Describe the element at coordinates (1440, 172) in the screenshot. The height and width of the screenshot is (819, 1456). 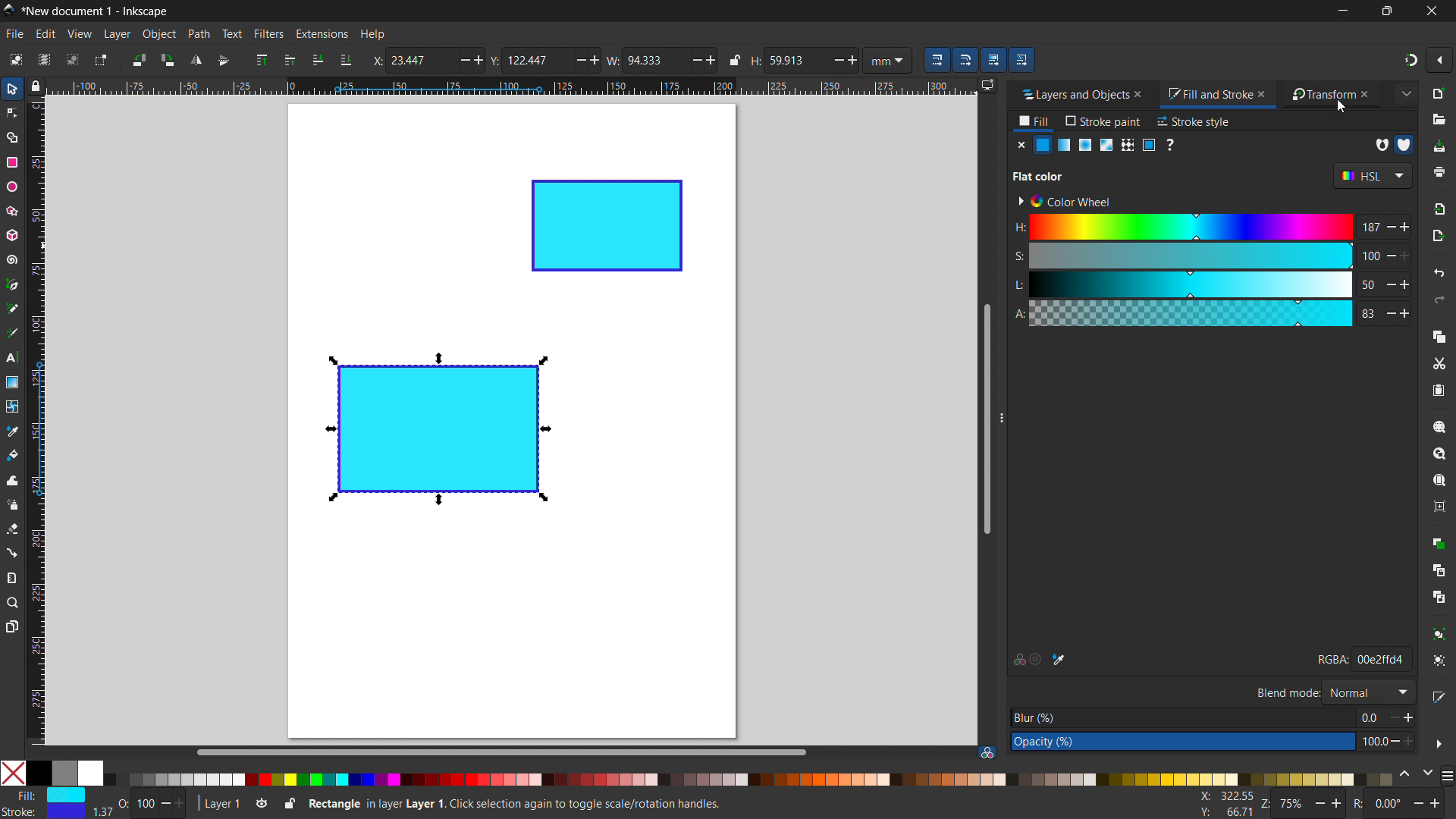
I see `print` at that location.